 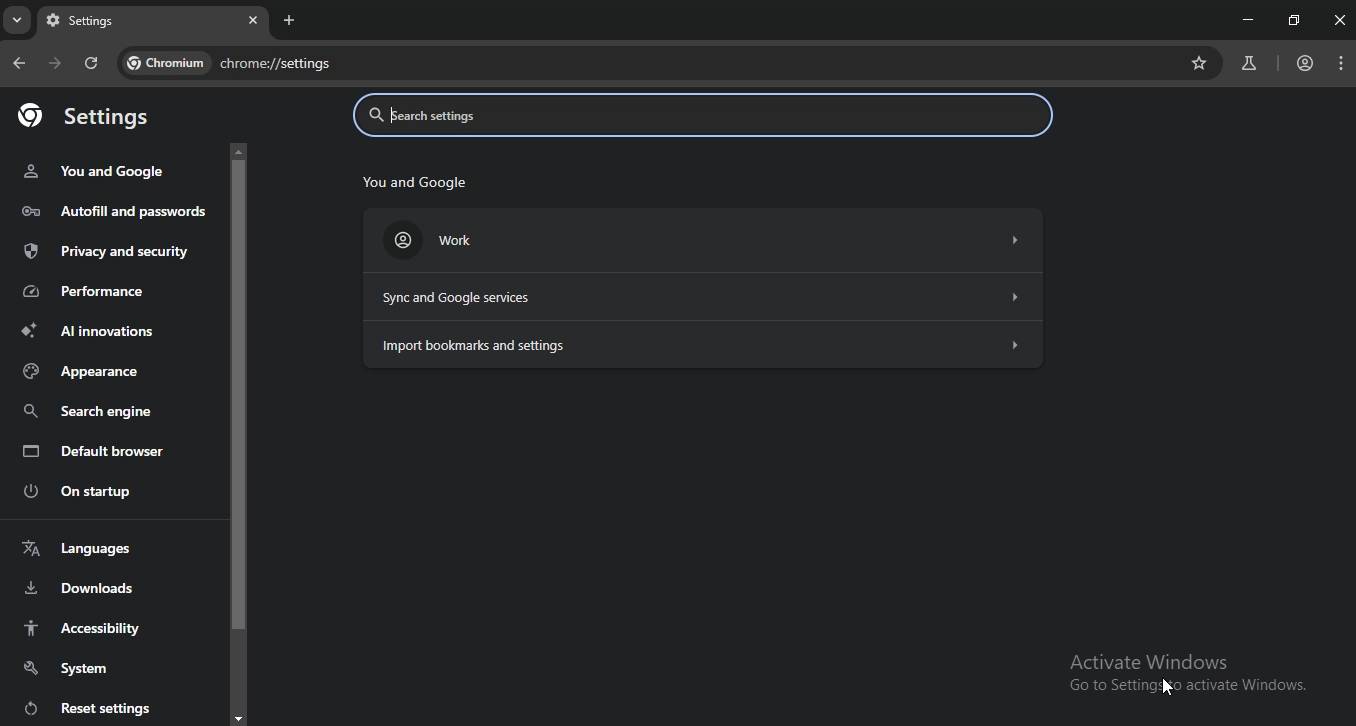 I want to click on you and google, so click(x=411, y=184).